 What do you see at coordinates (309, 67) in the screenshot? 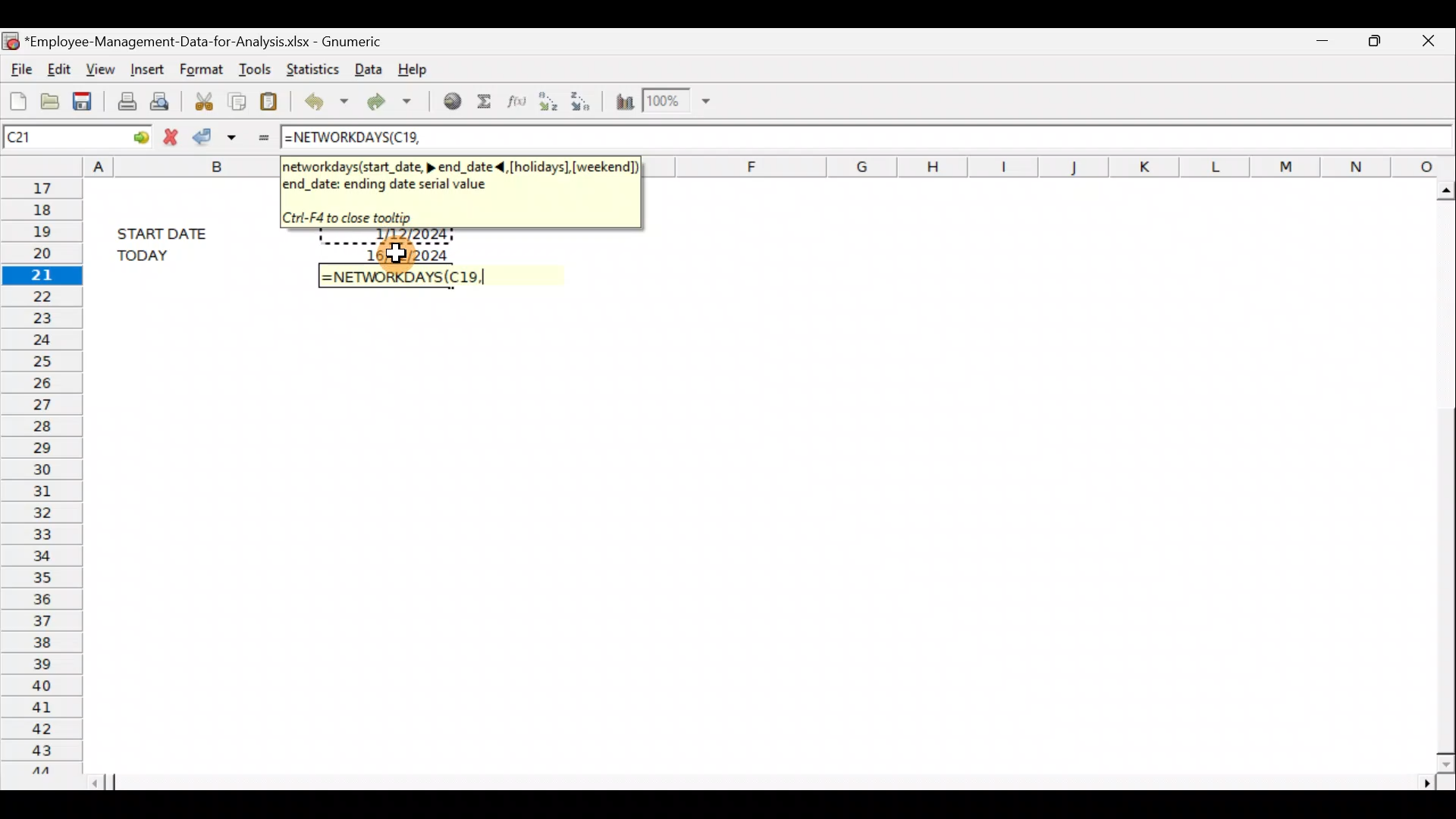
I see `Statistics` at bounding box center [309, 67].